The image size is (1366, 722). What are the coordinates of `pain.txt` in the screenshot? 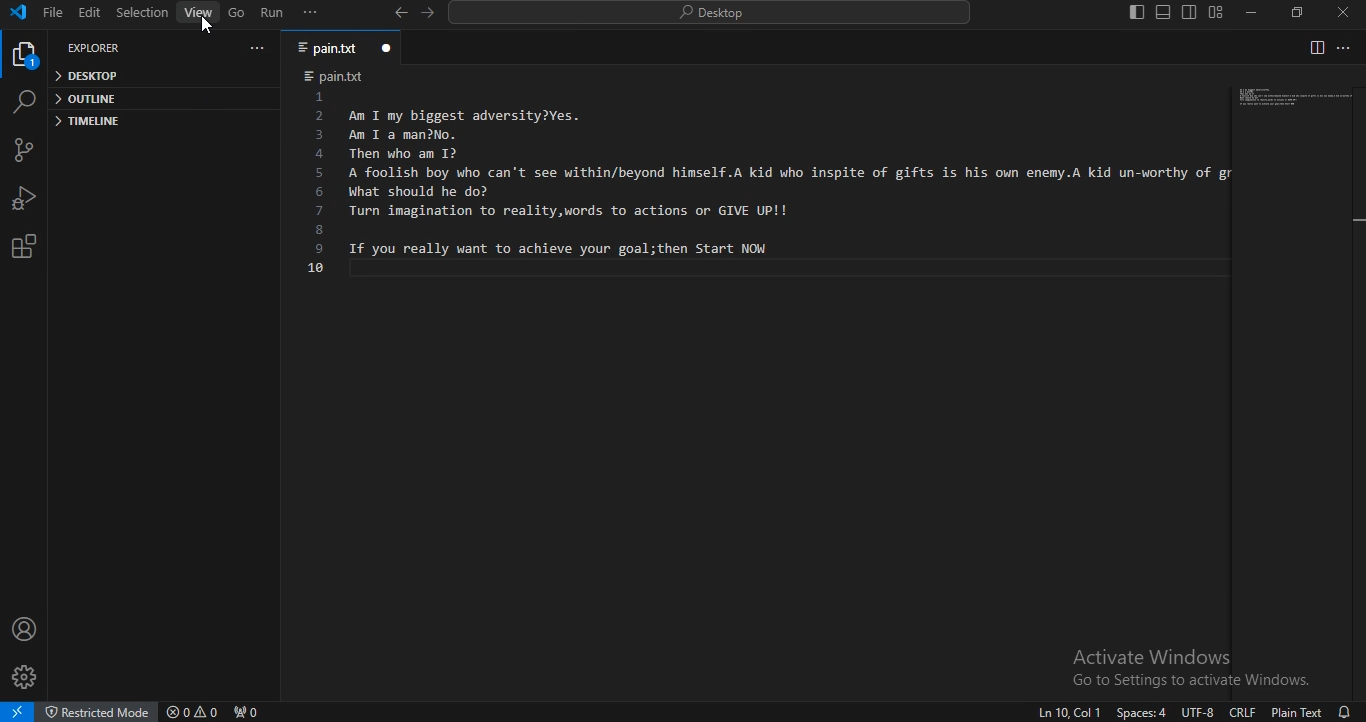 It's located at (340, 77).